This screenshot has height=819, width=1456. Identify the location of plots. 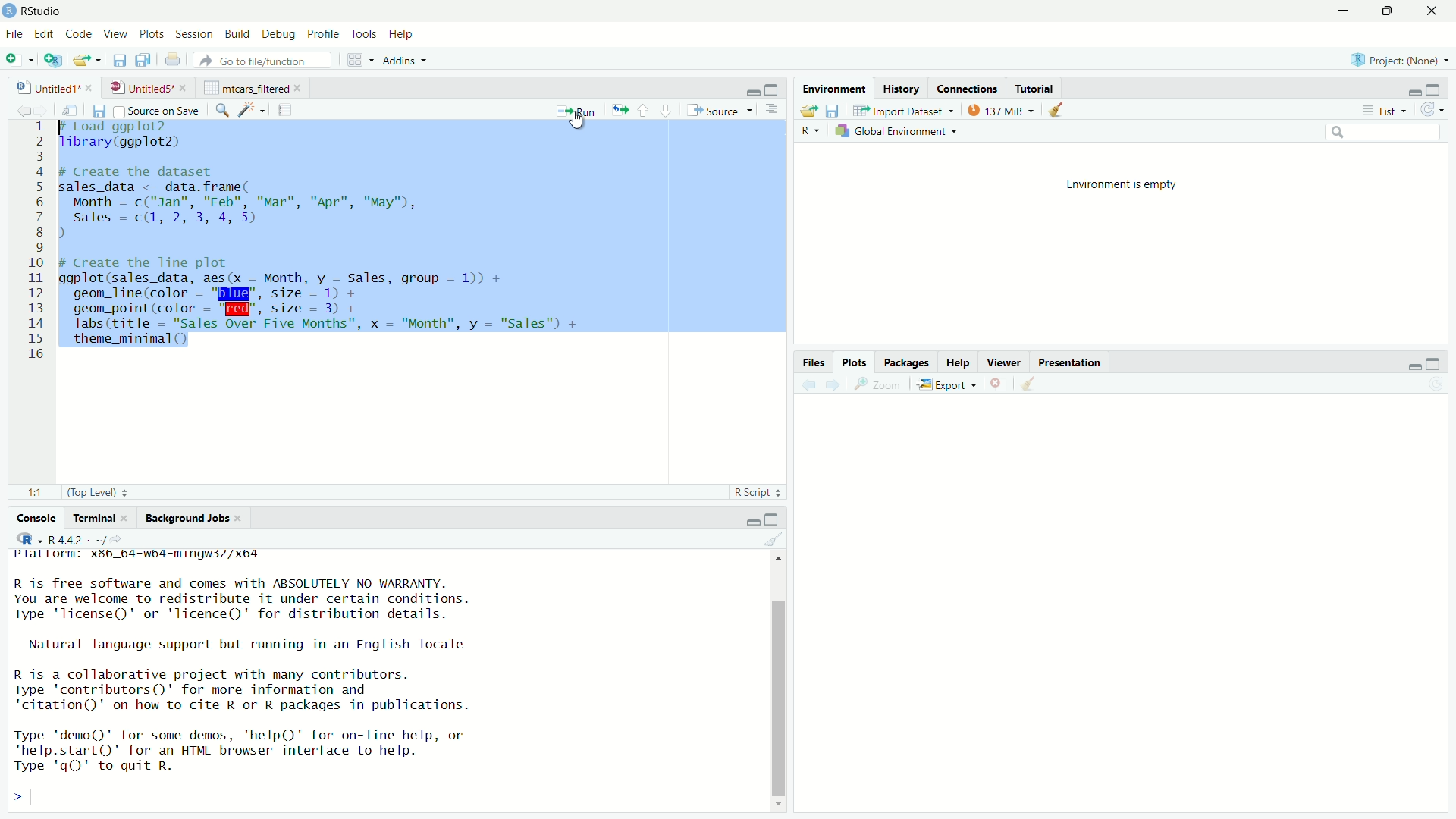
(856, 362).